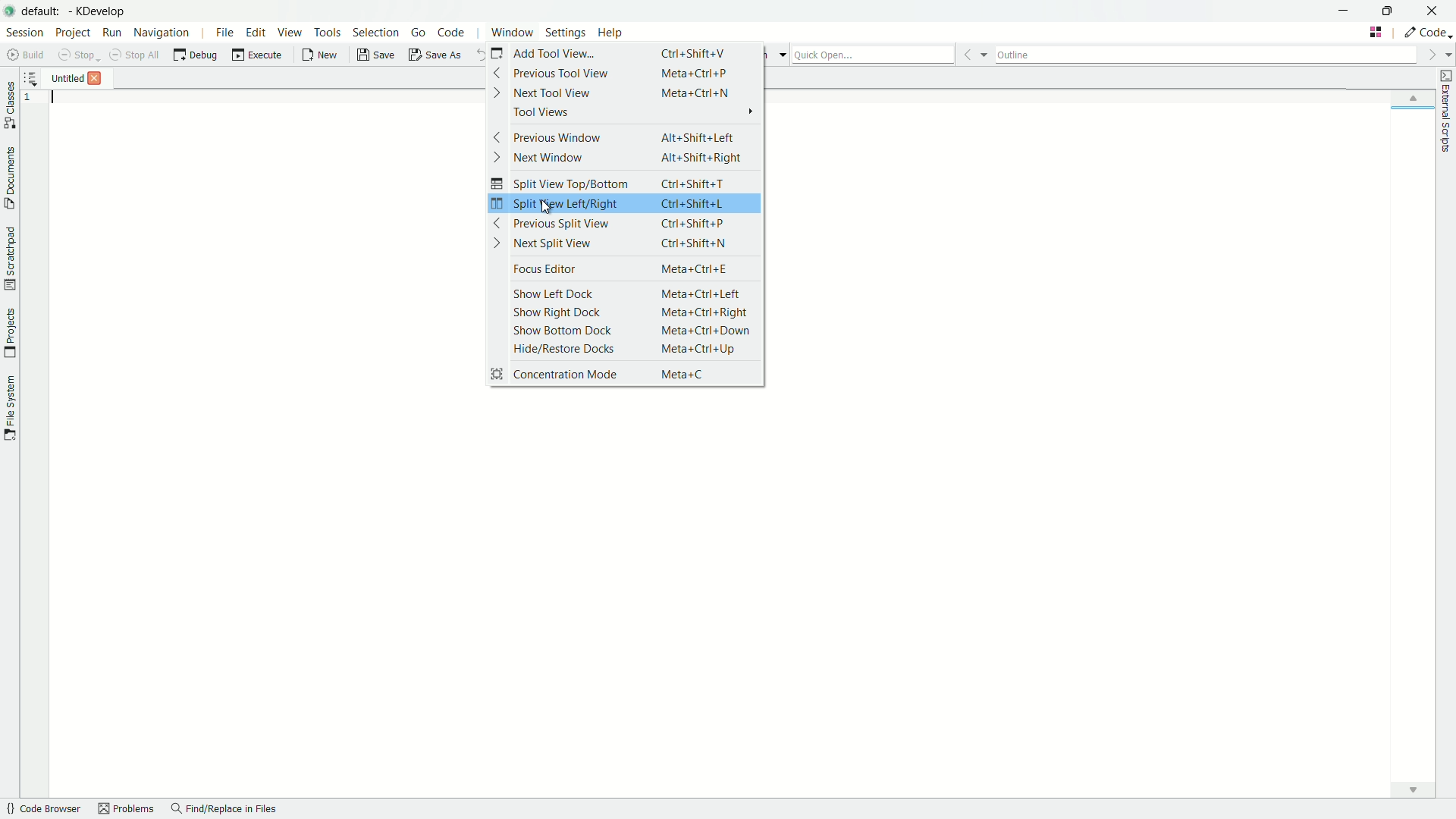  Describe the element at coordinates (227, 32) in the screenshot. I see `file menu` at that location.